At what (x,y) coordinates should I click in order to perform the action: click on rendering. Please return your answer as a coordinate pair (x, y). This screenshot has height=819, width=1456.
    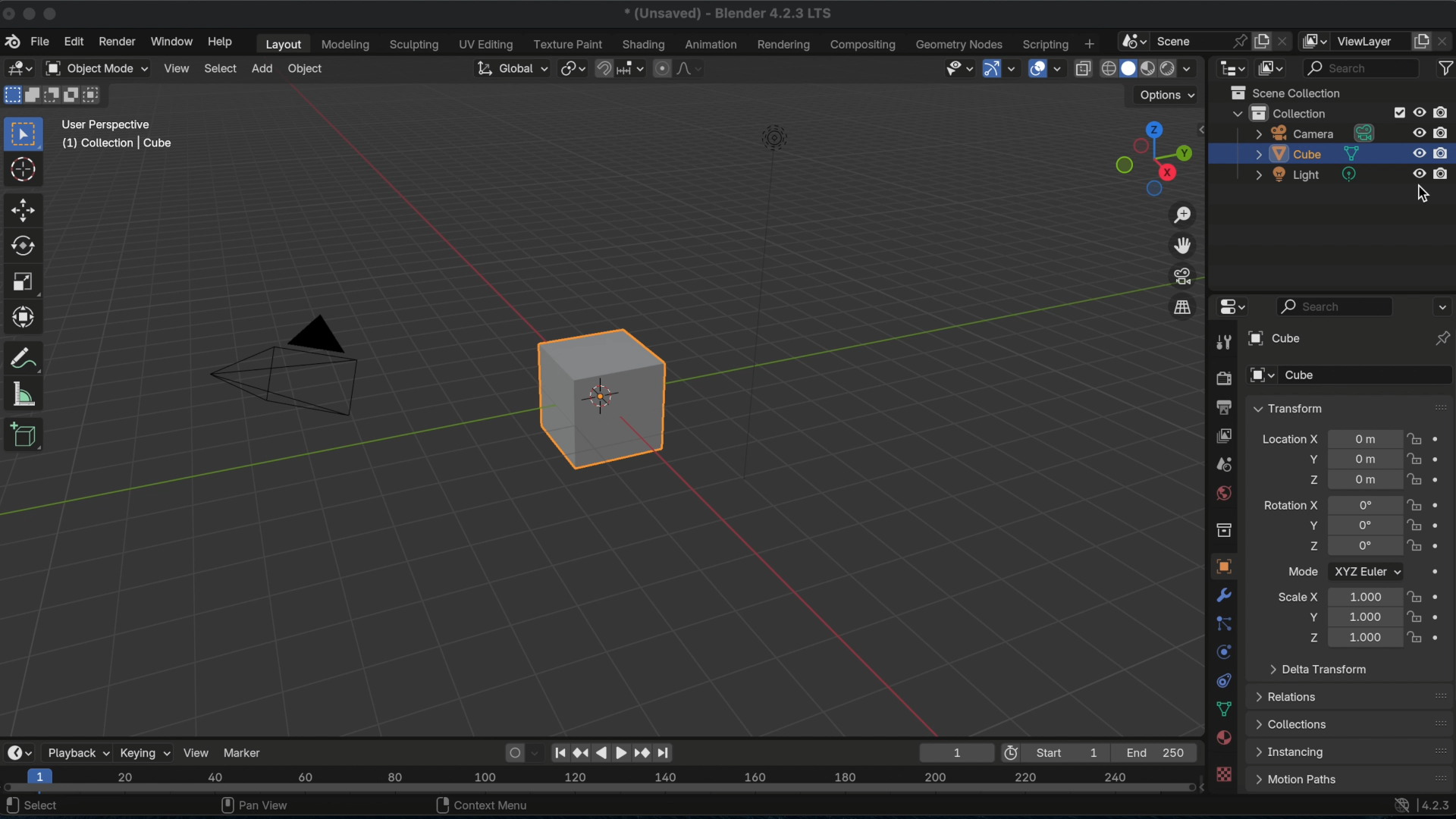
    Looking at the image, I should click on (786, 44).